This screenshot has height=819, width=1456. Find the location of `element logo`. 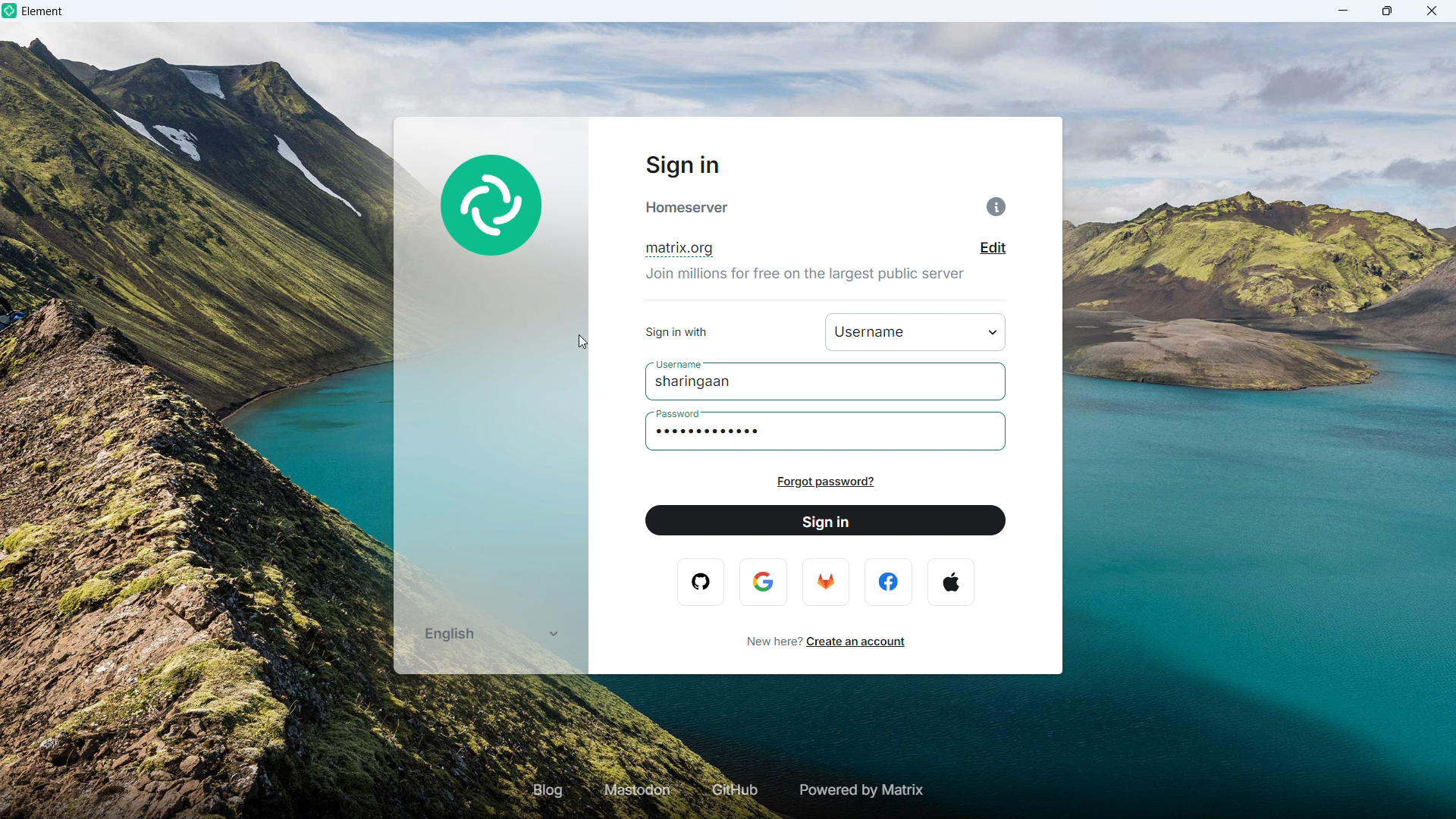

element logo is located at coordinates (11, 11).